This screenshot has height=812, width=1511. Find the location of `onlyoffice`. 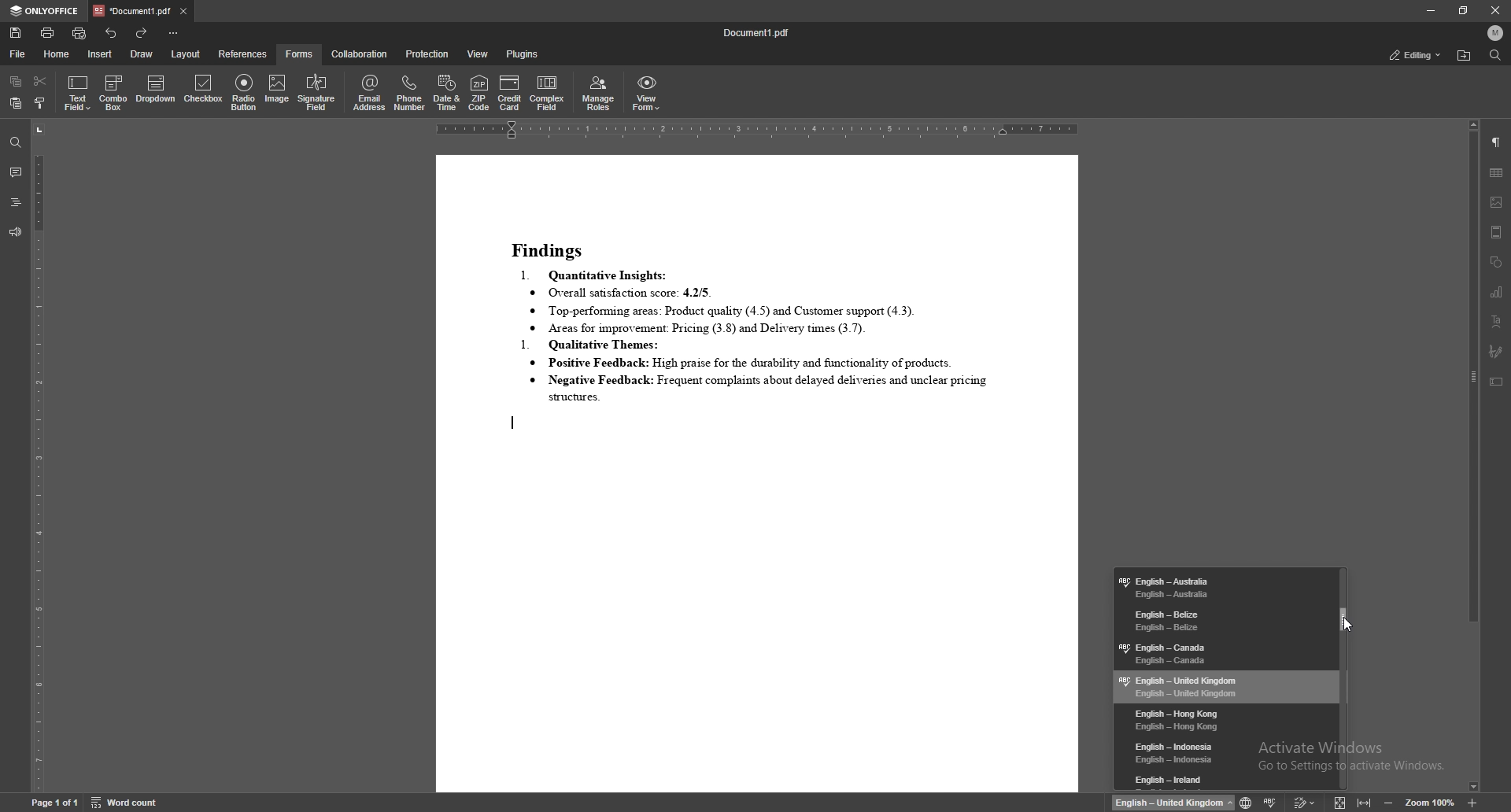

onlyoffice is located at coordinates (45, 11).